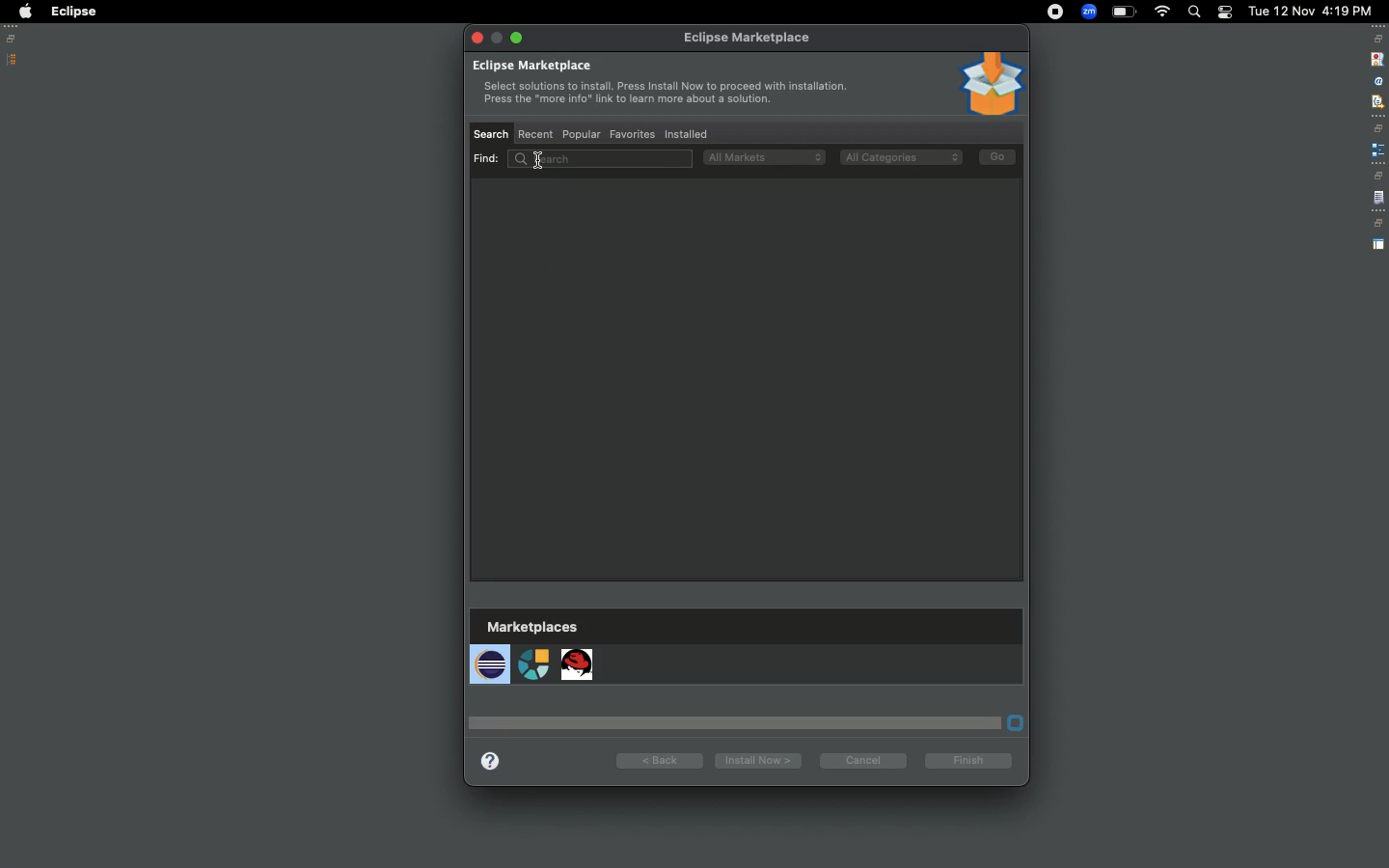 This screenshot has height=868, width=1389. What do you see at coordinates (537, 162) in the screenshot?
I see `cursor` at bounding box center [537, 162].